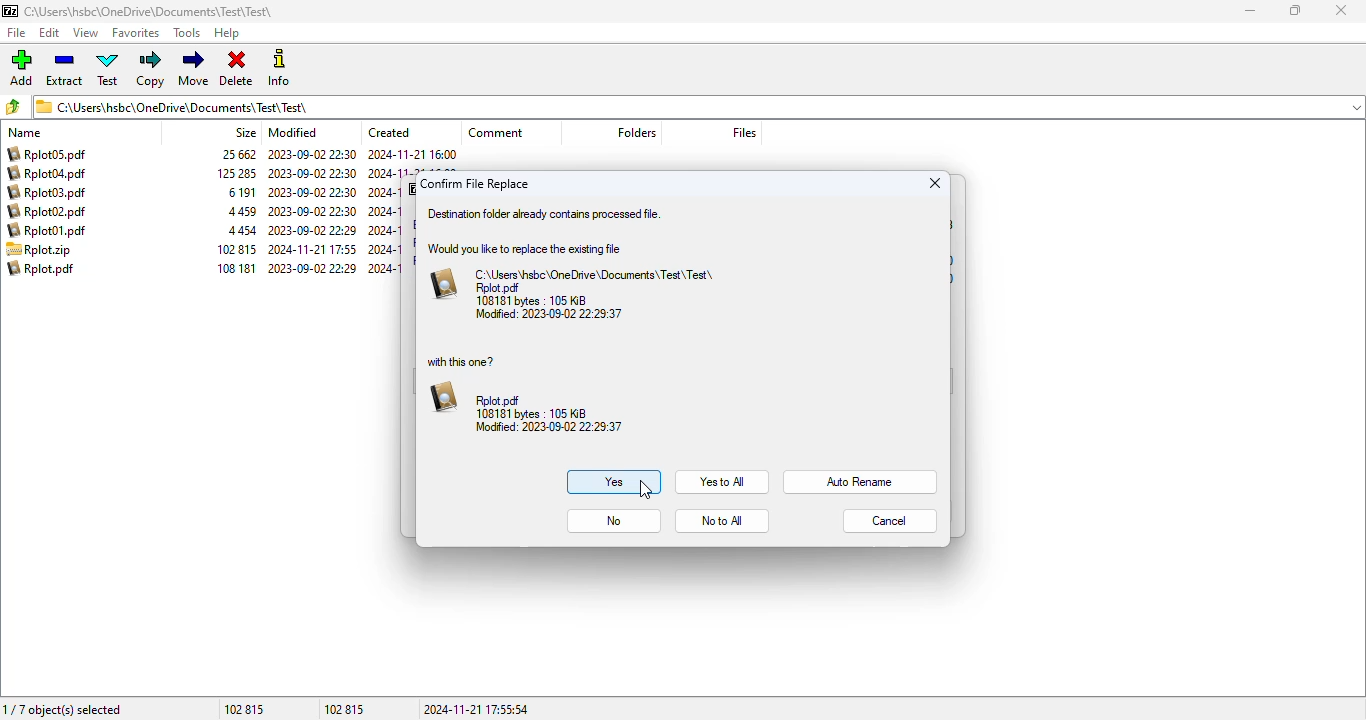 This screenshot has height=720, width=1366. Describe the element at coordinates (51, 212) in the screenshot. I see `Rplot02.pdf` at that location.